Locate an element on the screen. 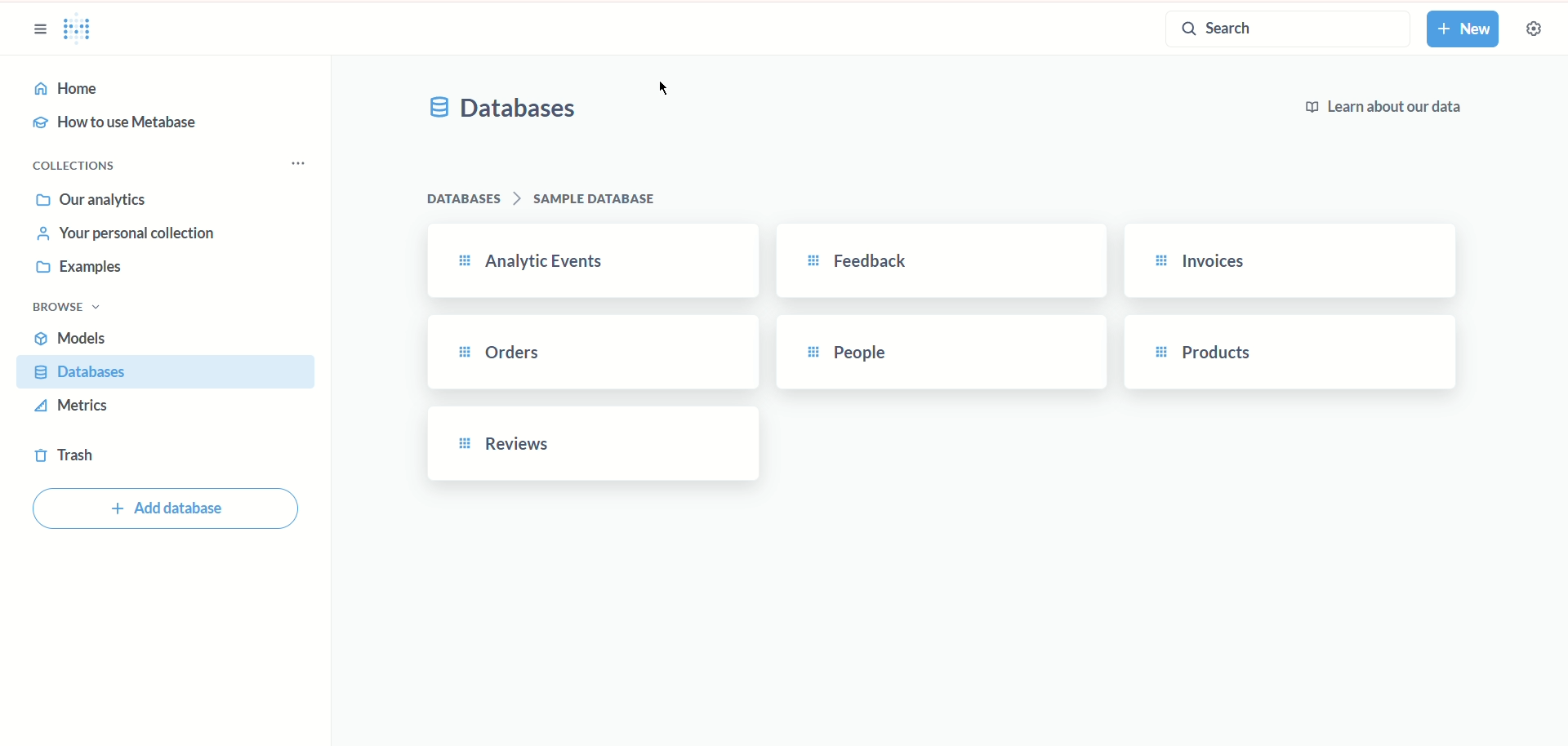  metabase is located at coordinates (80, 31).